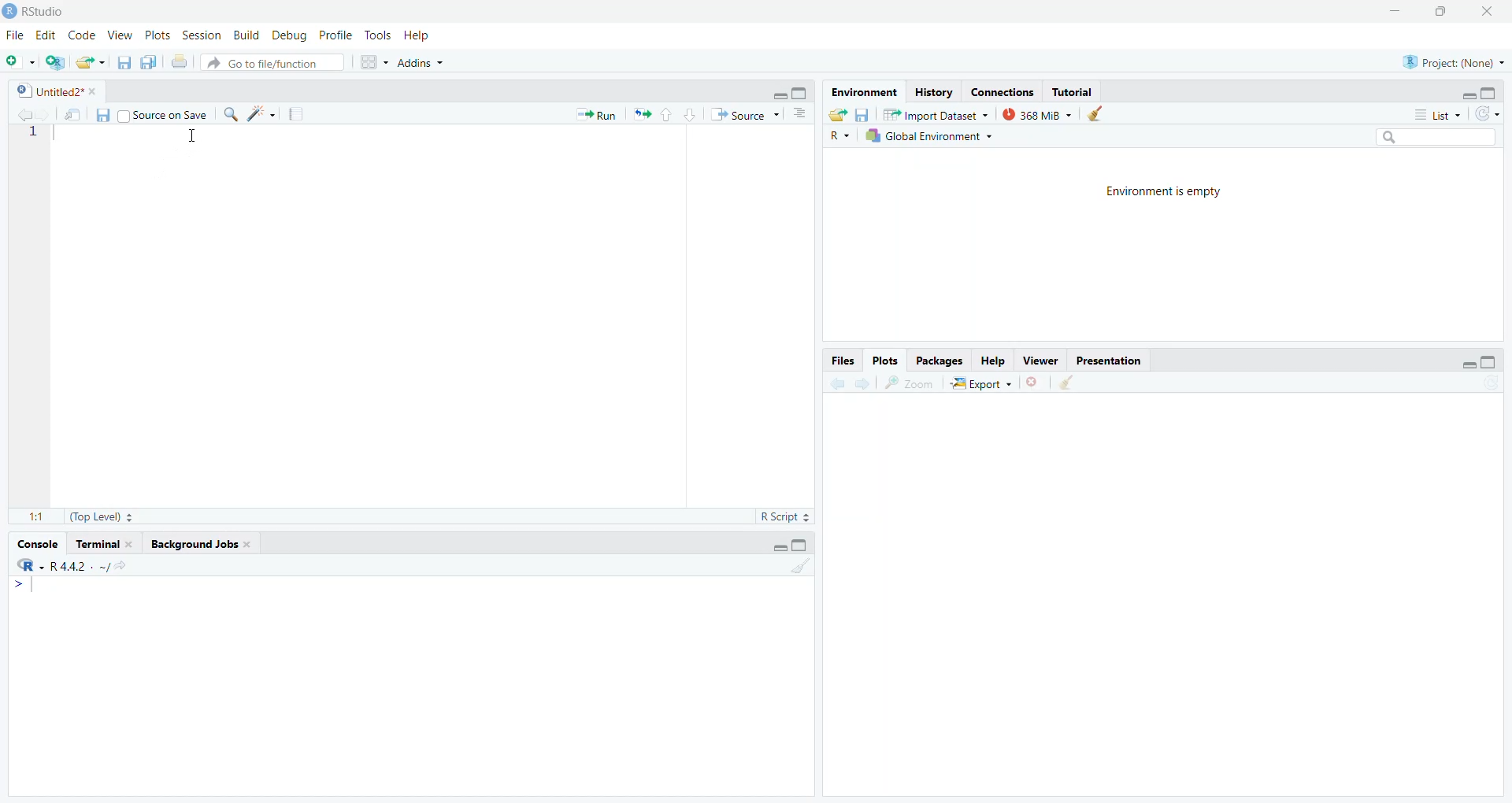 This screenshot has height=803, width=1512. I want to click on | Export ~, so click(983, 385).